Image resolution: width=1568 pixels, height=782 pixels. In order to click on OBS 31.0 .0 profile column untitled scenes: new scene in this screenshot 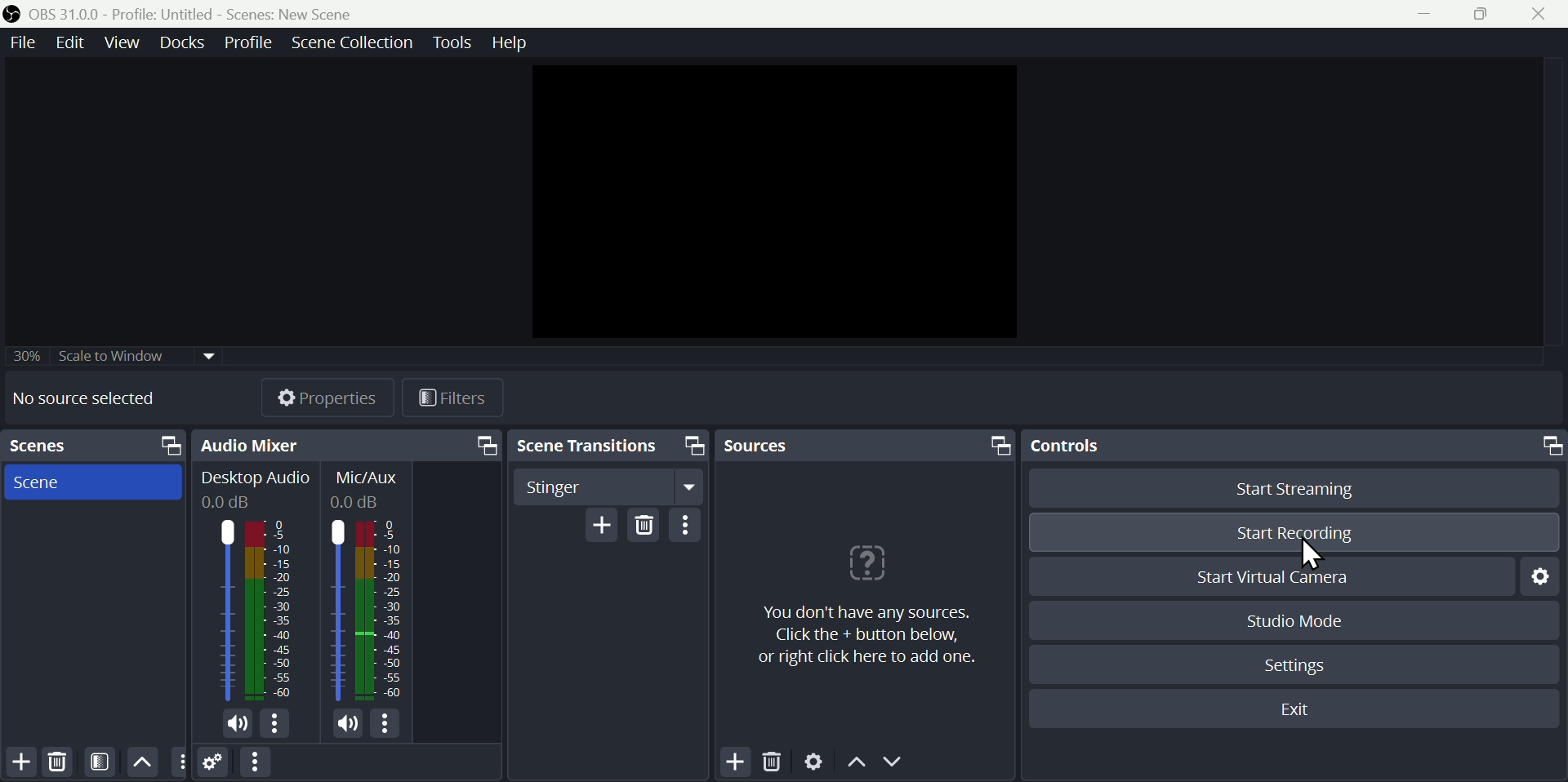, I will do `click(207, 13)`.